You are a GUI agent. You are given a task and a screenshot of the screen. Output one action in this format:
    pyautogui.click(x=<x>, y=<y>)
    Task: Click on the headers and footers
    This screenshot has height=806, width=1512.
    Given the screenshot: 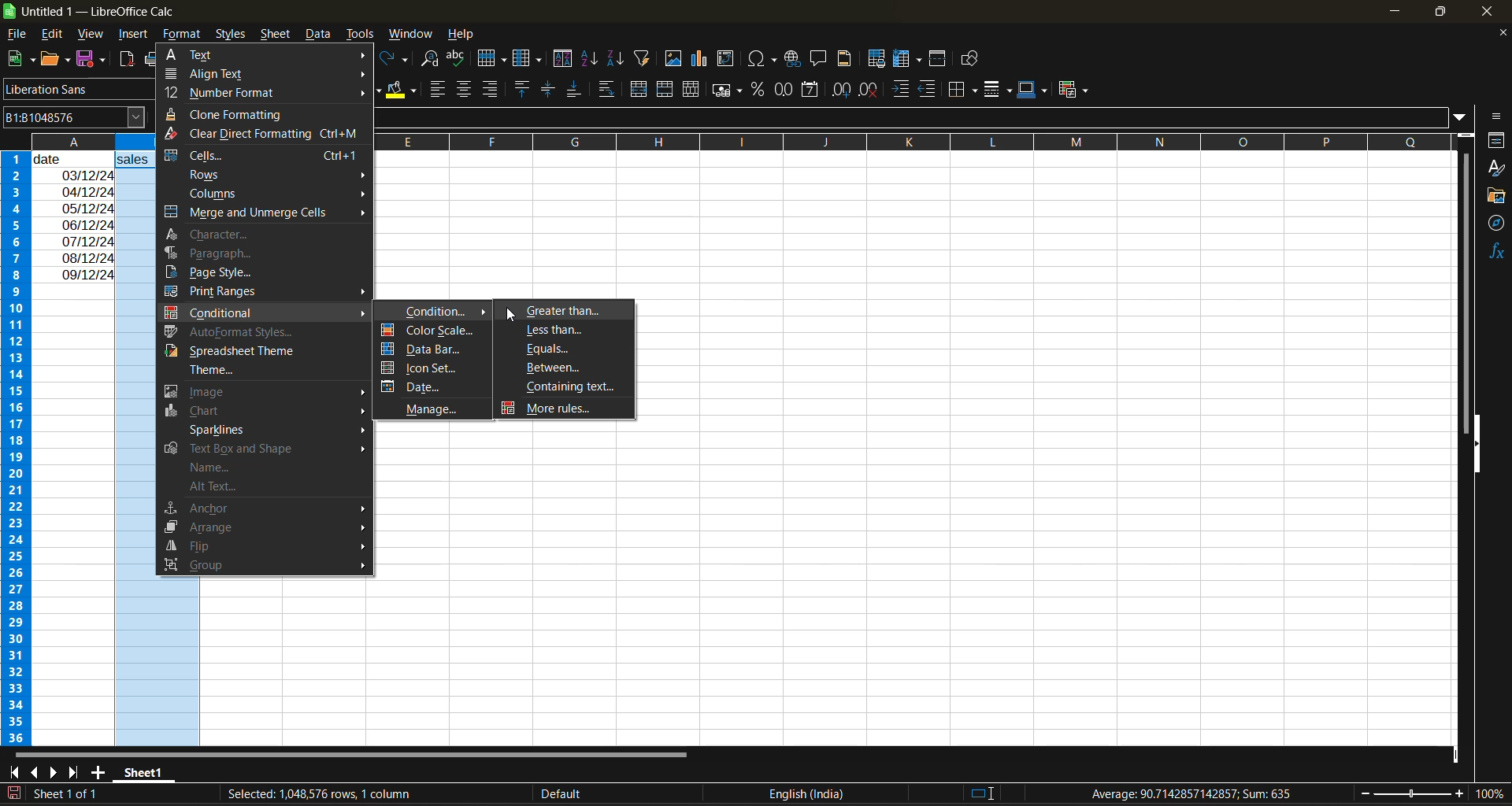 What is the action you would take?
    pyautogui.click(x=849, y=58)
    